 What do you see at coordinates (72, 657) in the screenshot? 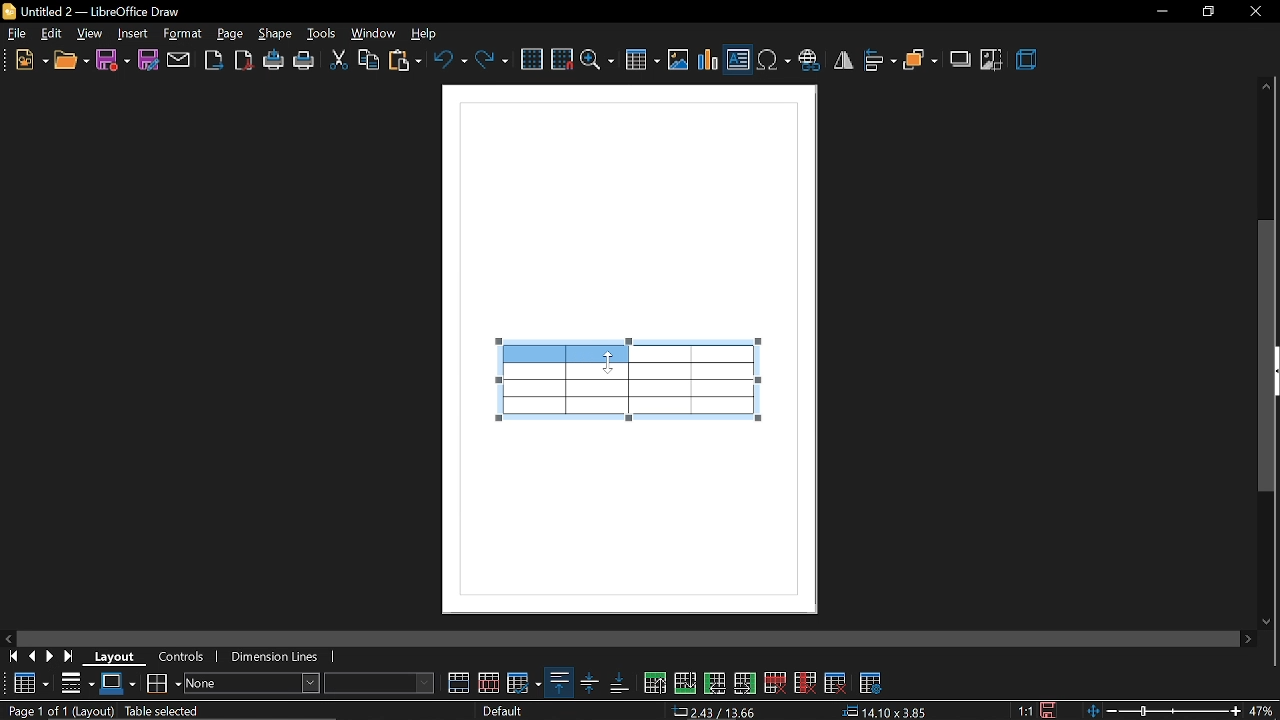
I see `go to last page` at bounding box center [72, 657].